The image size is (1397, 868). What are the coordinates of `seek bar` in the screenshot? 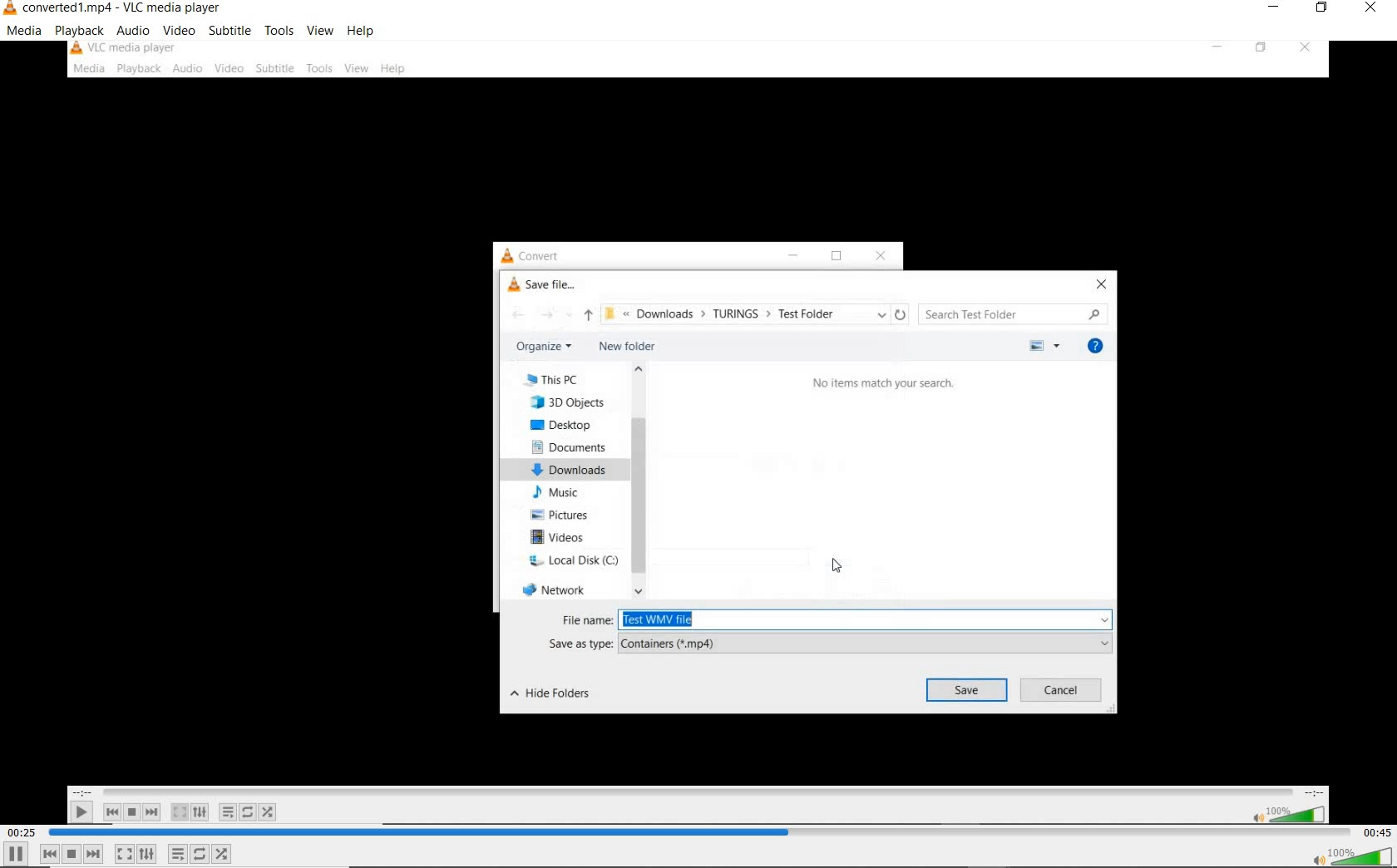 It's located at (700, 831).